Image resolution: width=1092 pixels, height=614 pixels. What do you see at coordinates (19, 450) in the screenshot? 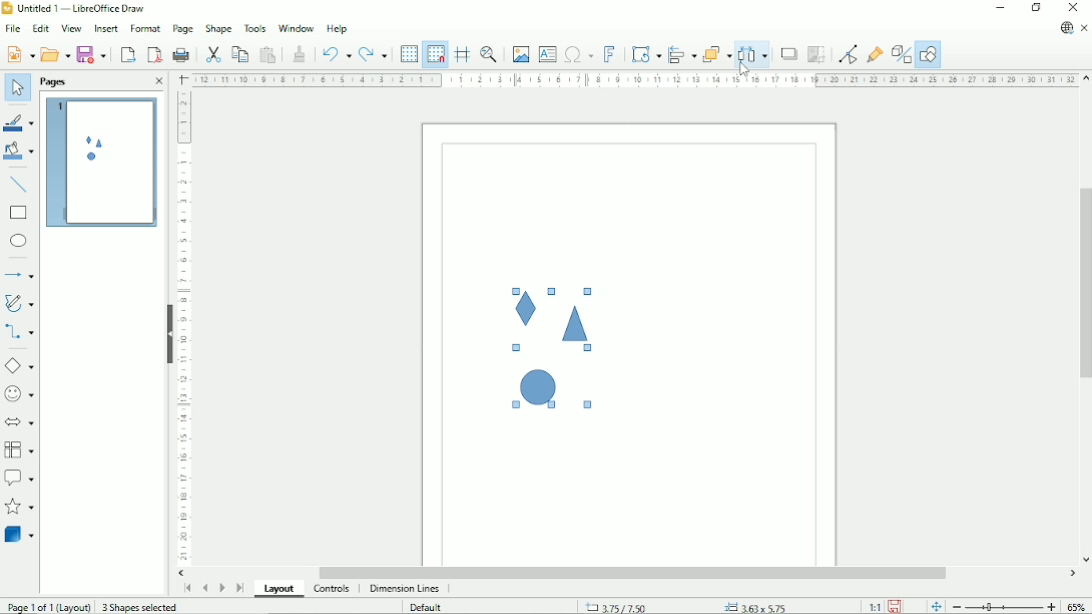
I see `Flow chart` at bounding box center [19, 450].